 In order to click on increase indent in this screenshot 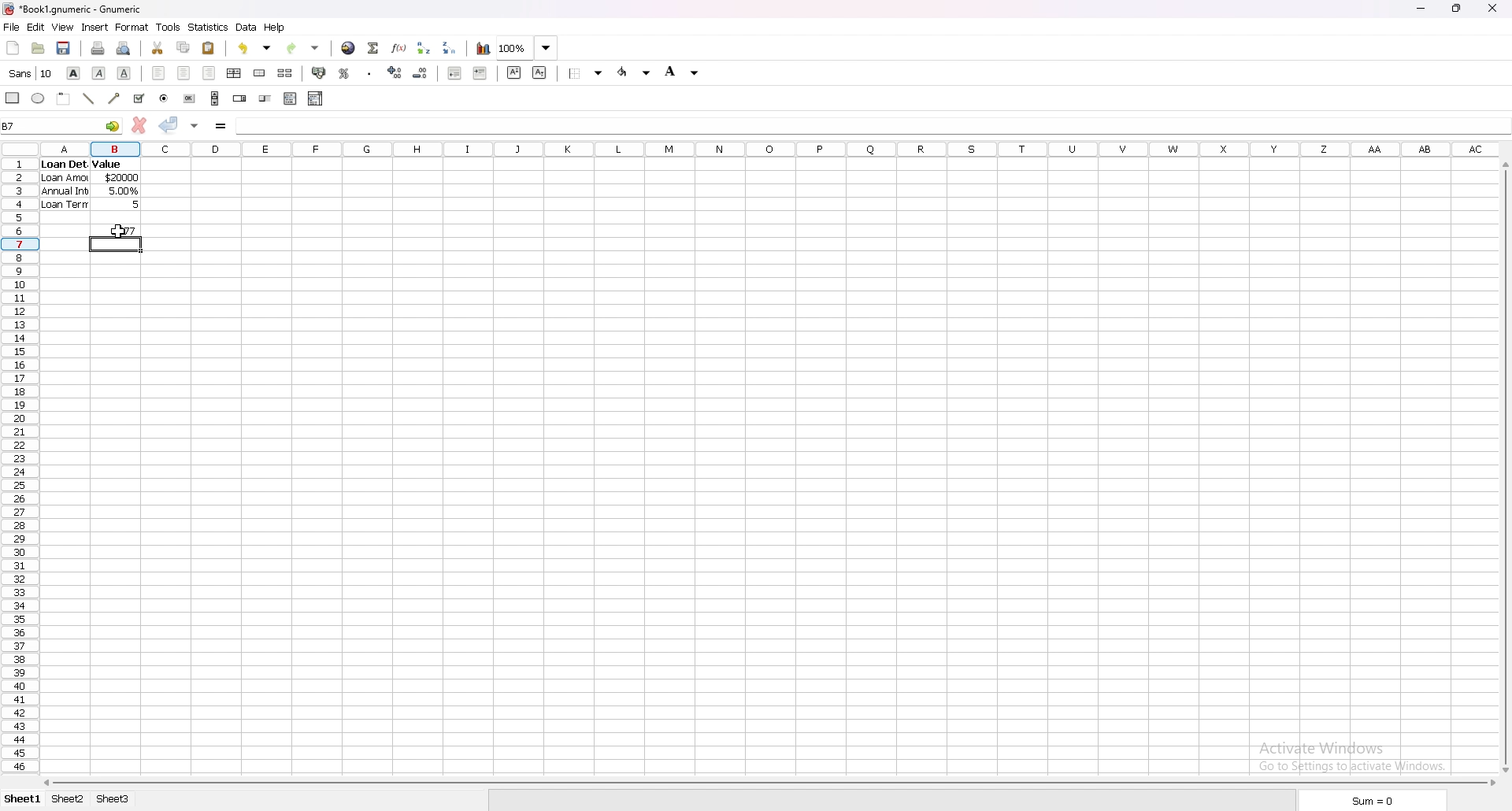, I will do `click(480, 73)`.